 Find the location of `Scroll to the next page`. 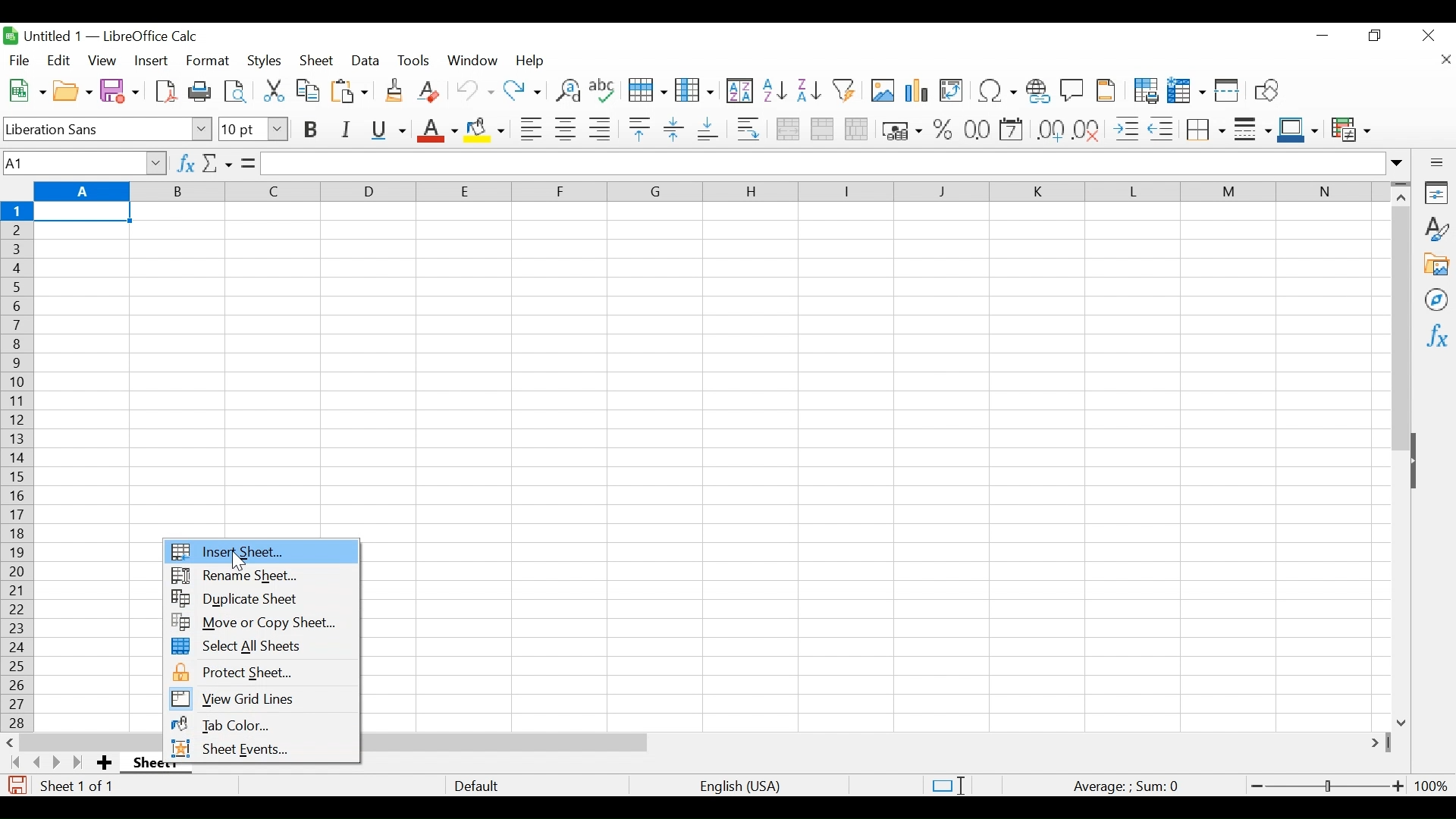

Scroll to the next page is located at coordinates (60, 762).